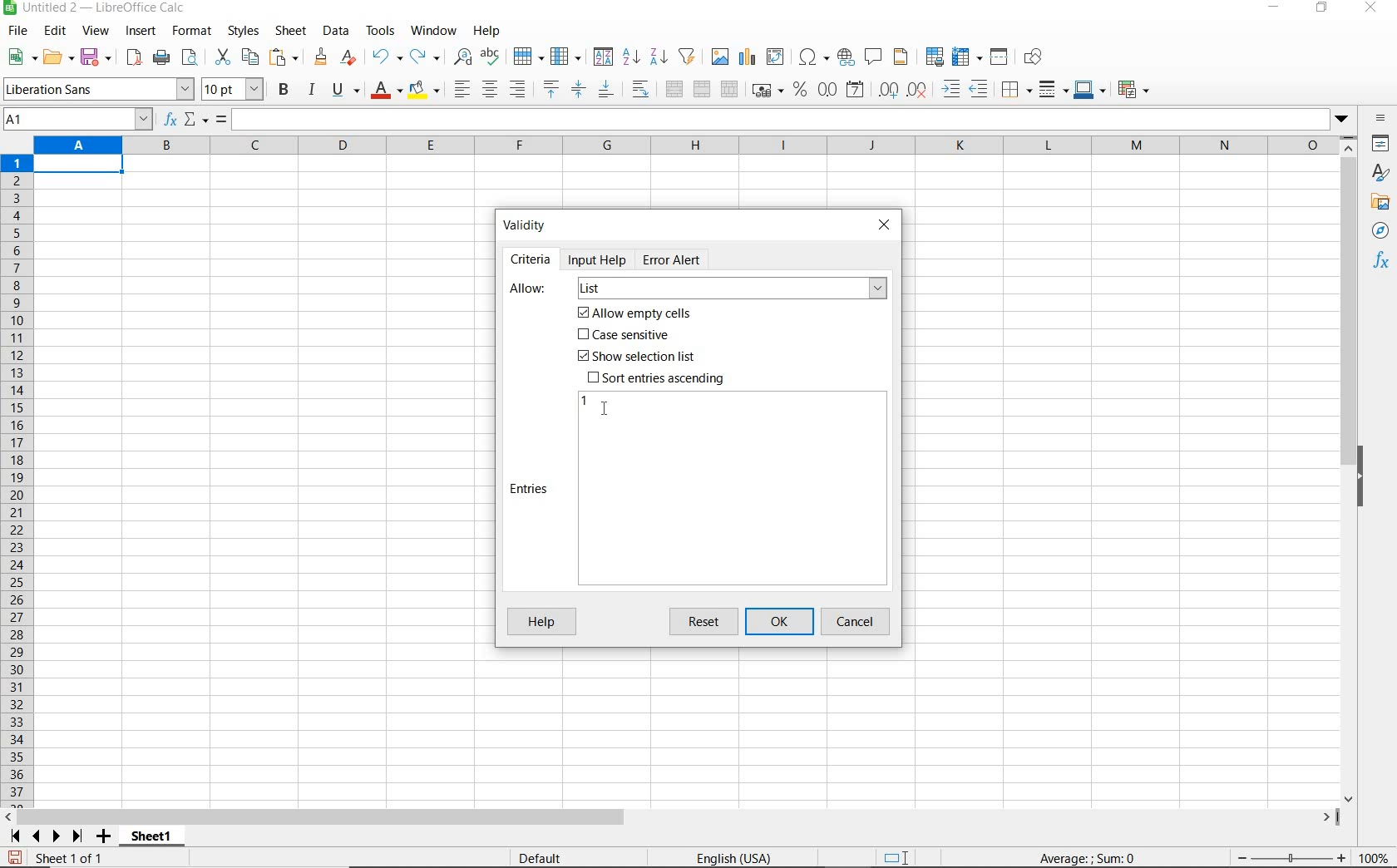 The width and height of the screenshot is (1397, 868). What do you see at coordinates (311, 90) in the screenshot?
I see `italic` at bounding box center [311, 90].